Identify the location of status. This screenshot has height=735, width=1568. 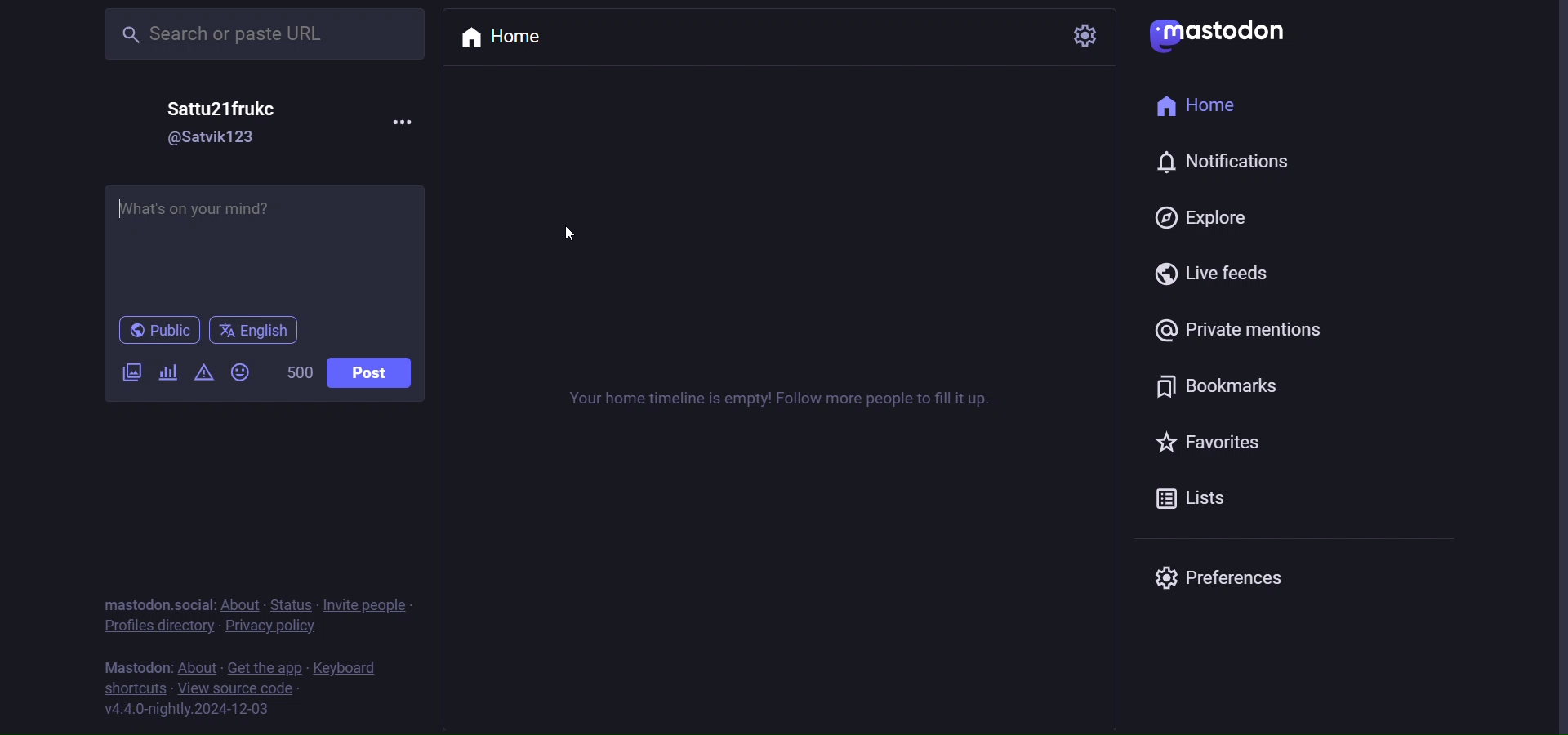
(292, 605).